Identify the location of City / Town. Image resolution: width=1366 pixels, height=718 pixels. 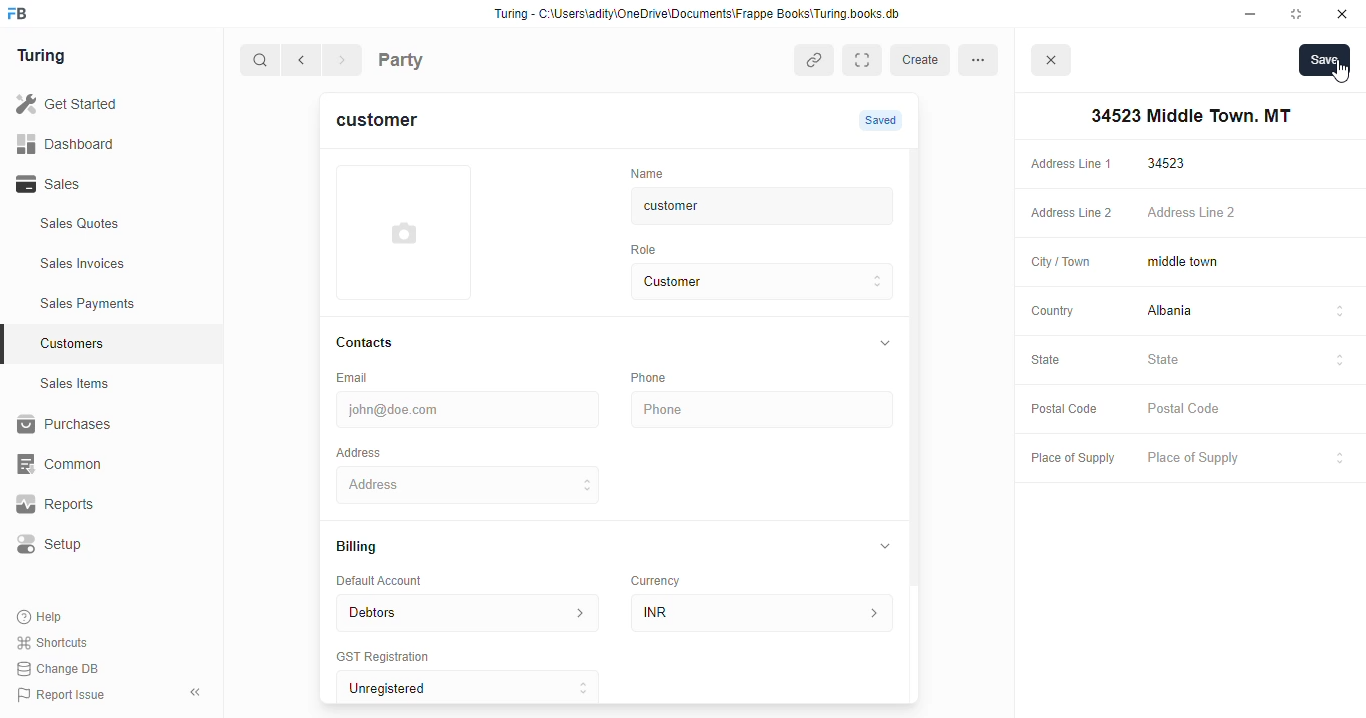
(1061, 264).